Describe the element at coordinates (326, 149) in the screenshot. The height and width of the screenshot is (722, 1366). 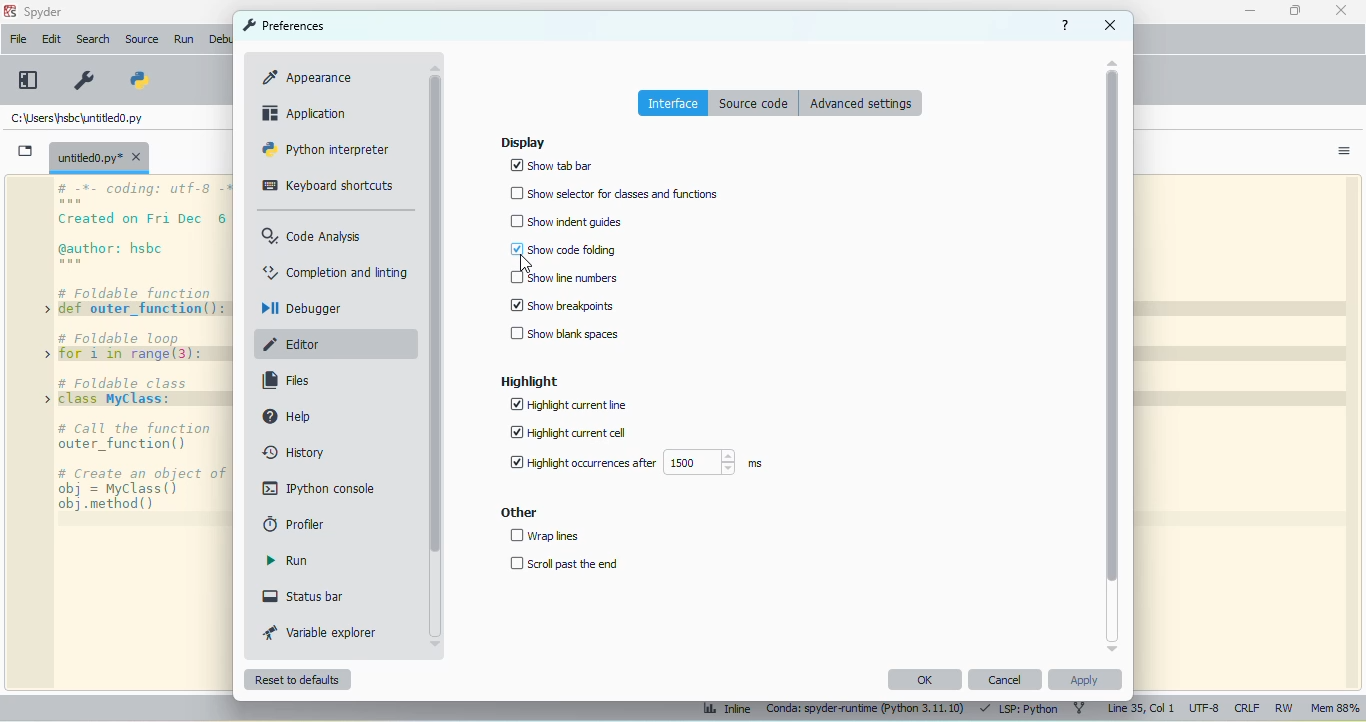
I see `python interpreter` at that location.